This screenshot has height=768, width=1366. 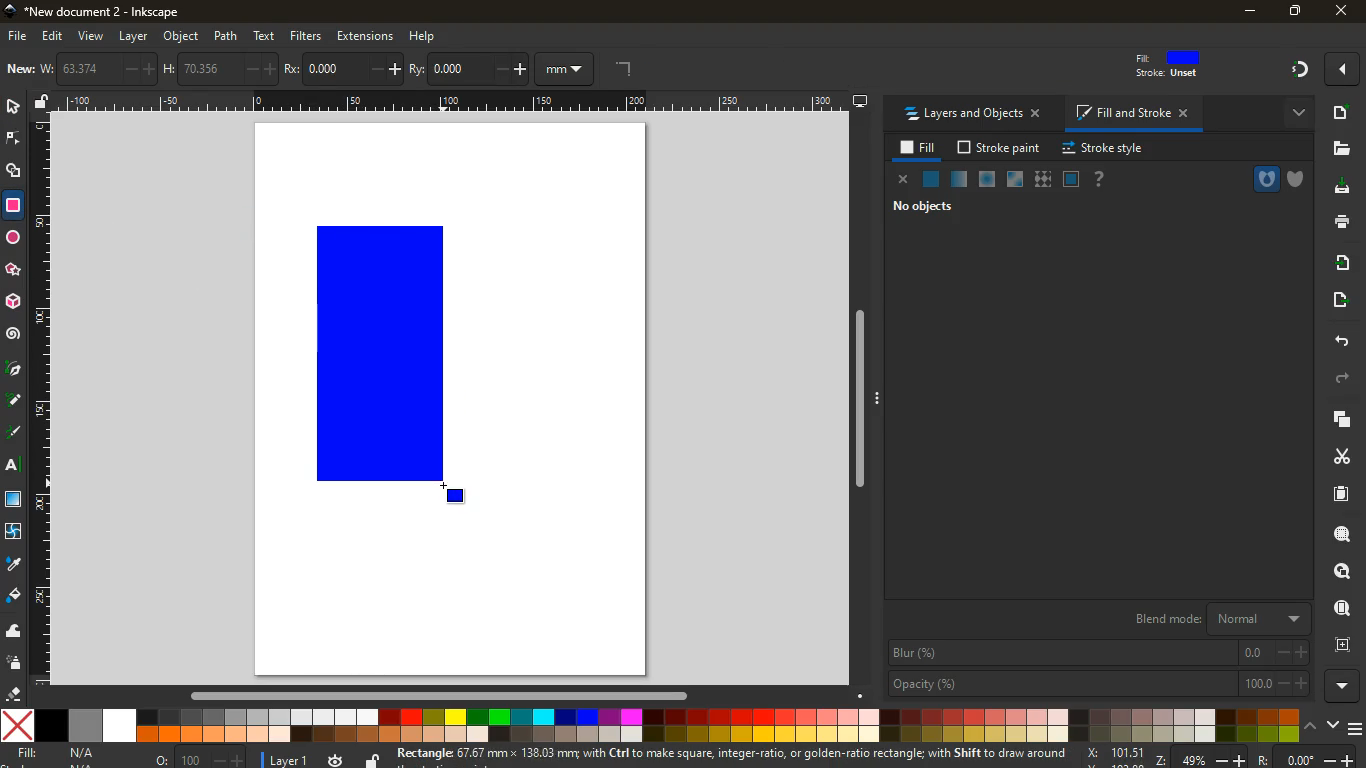 I want to click on fill, so click(x=64, y=754).